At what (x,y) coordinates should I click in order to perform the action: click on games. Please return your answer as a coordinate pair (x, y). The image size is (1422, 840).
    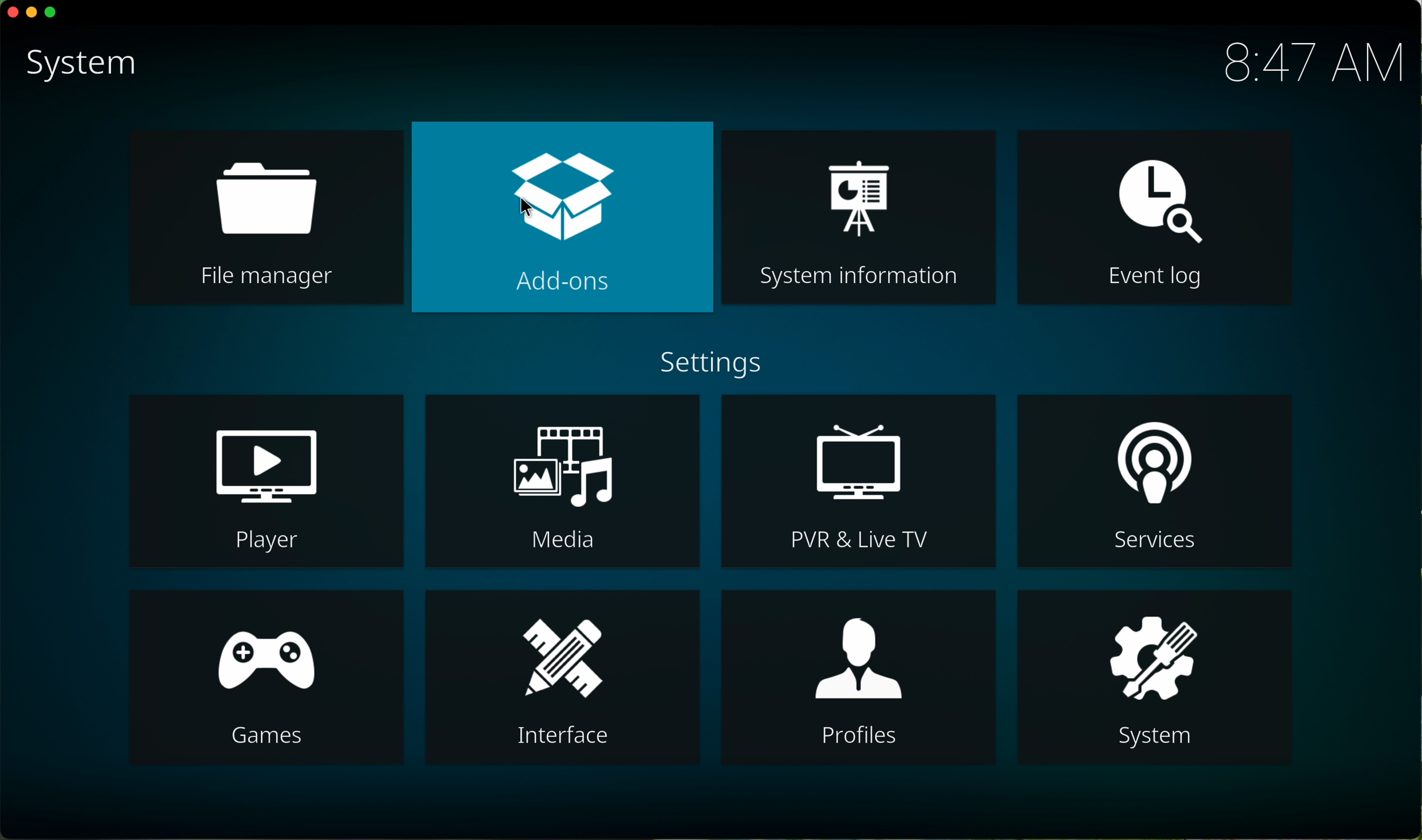
    Looking at the image, I should click on (267, 679).